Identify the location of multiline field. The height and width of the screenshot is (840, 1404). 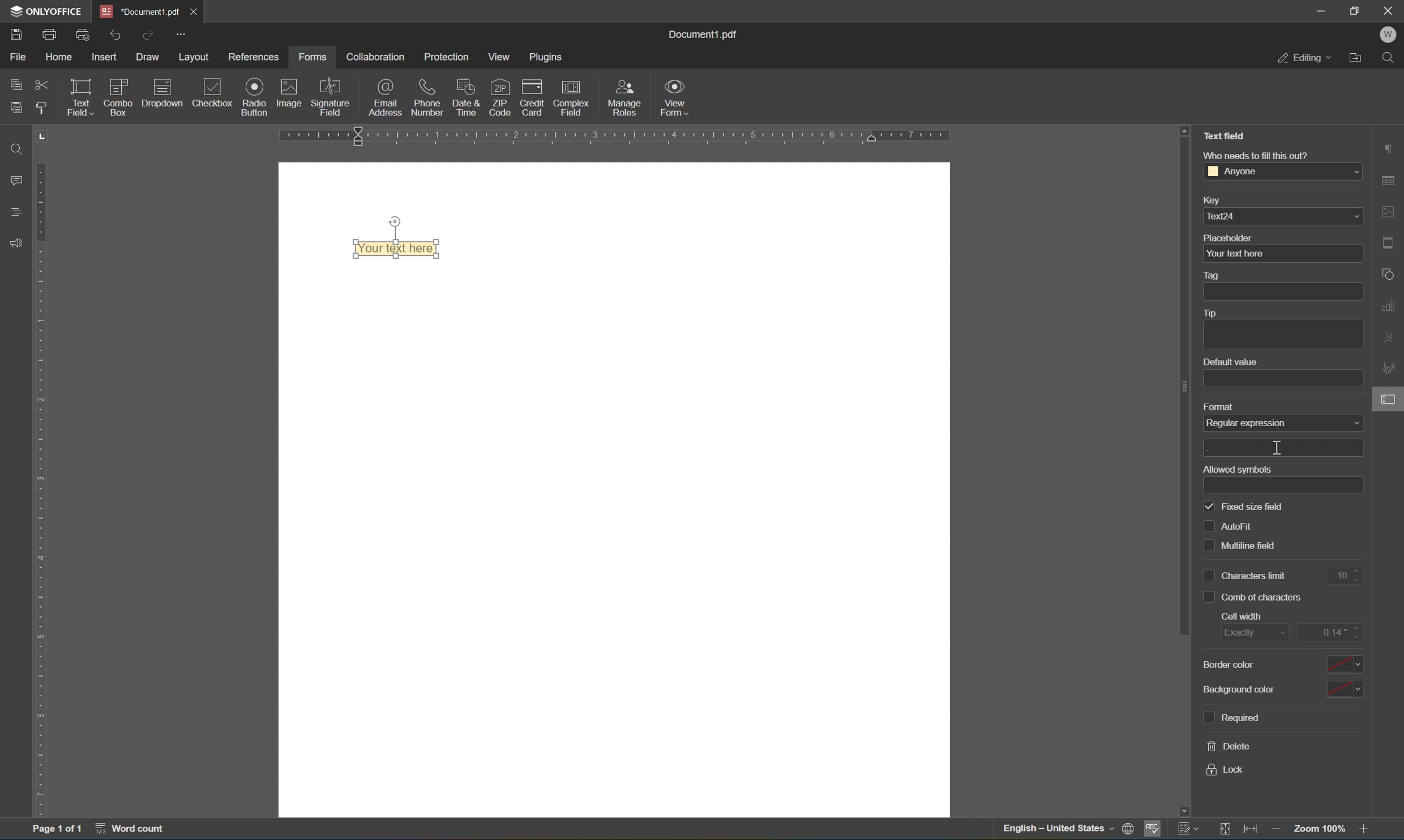
(1241, 547).